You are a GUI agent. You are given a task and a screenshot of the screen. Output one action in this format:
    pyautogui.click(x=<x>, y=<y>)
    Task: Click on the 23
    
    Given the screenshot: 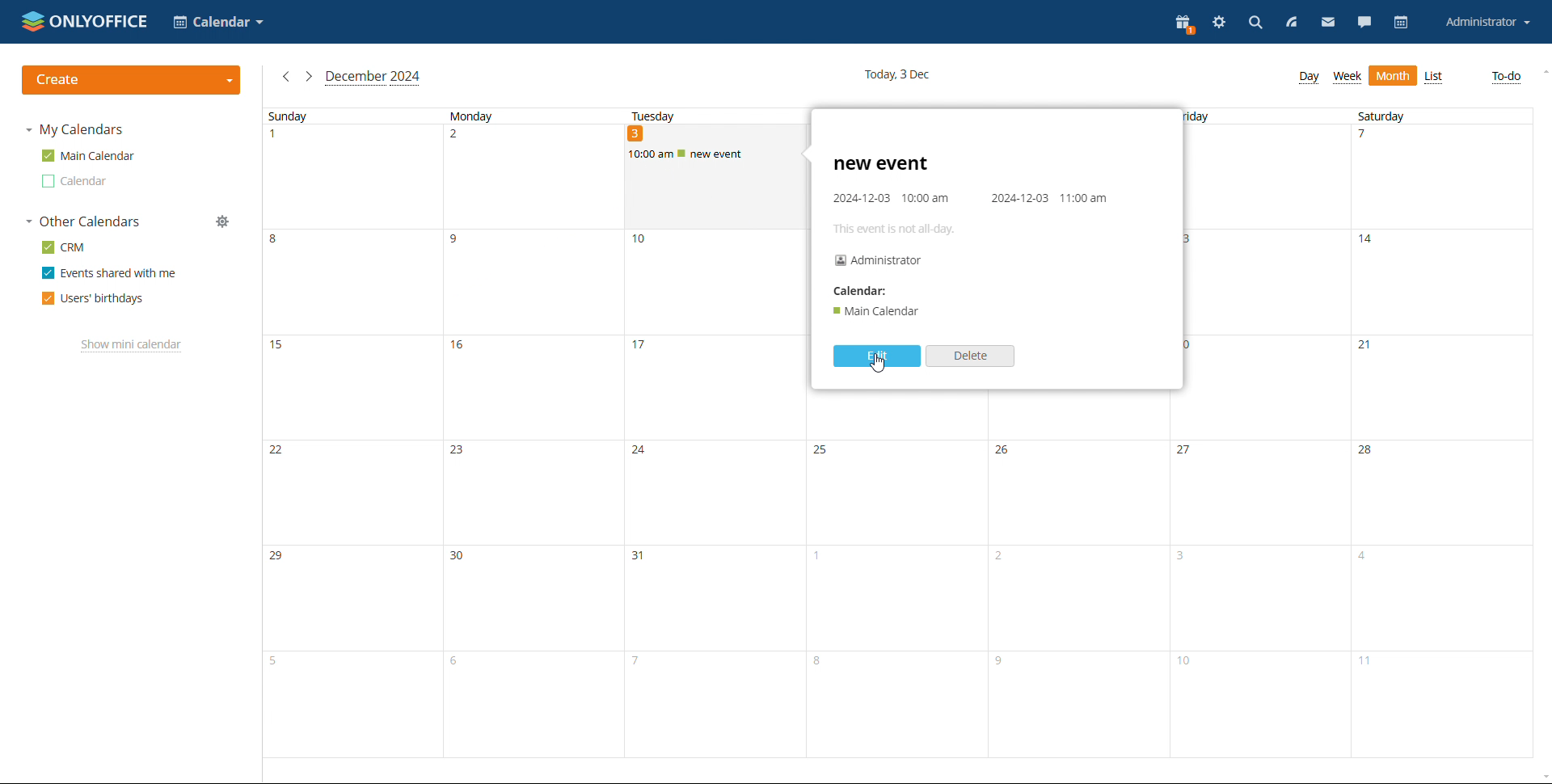 What is the action you would take?
    pyautogui.click(x=533, y=493)
    